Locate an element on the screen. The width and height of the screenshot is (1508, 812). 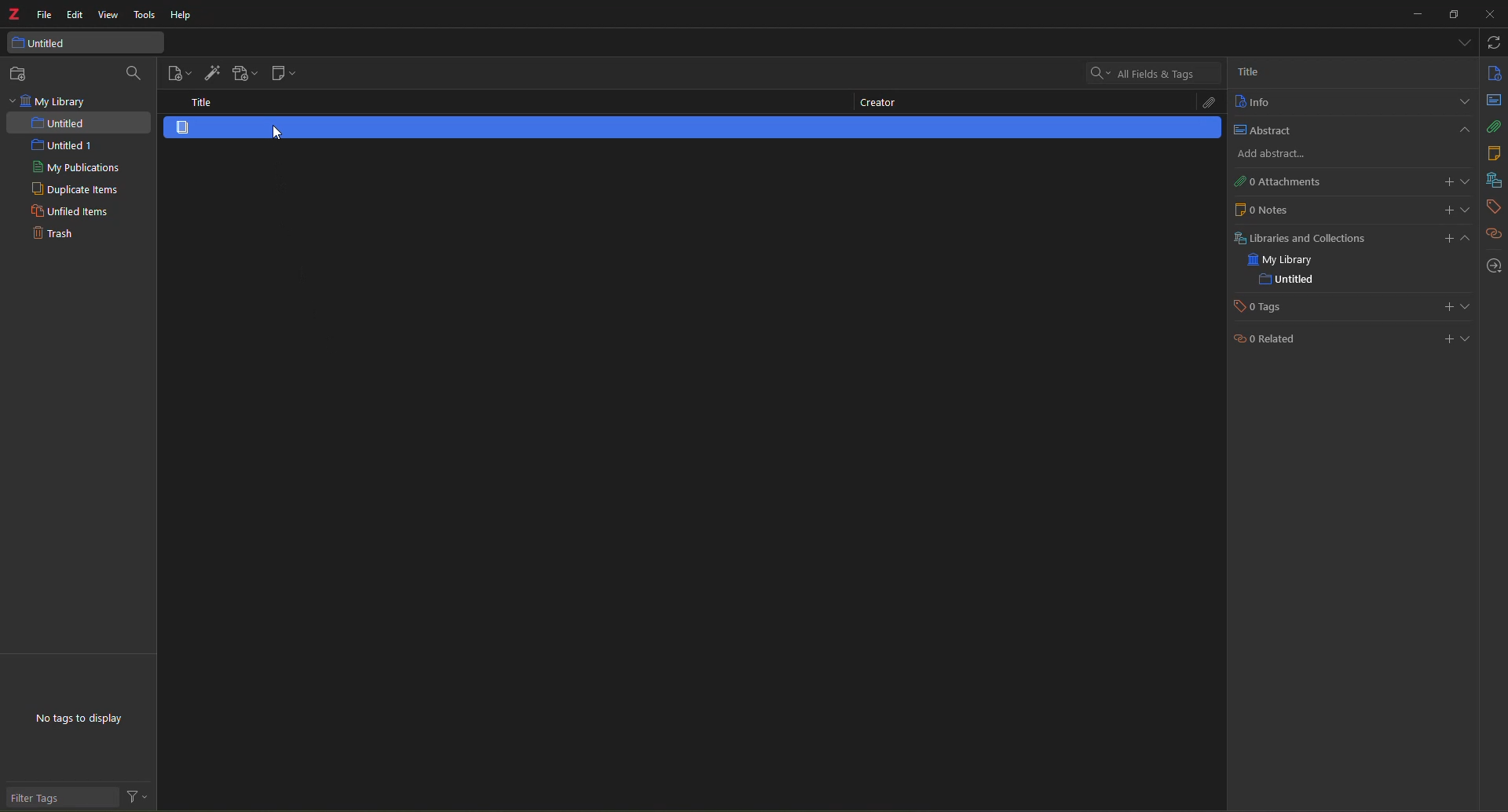
expand is located at coordinates (1469, 338).